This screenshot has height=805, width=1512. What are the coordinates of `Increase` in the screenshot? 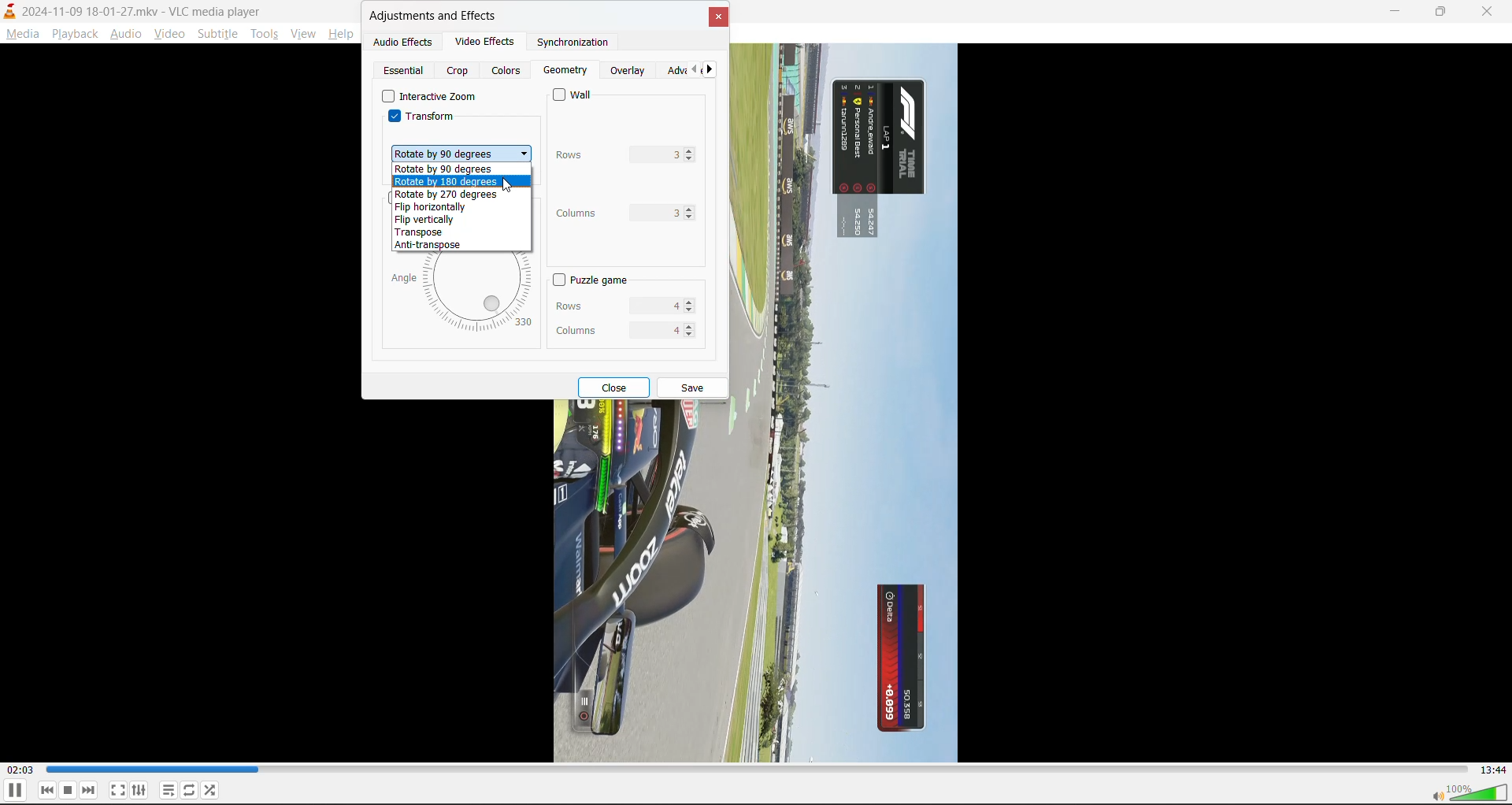 It's located at (691, 208).